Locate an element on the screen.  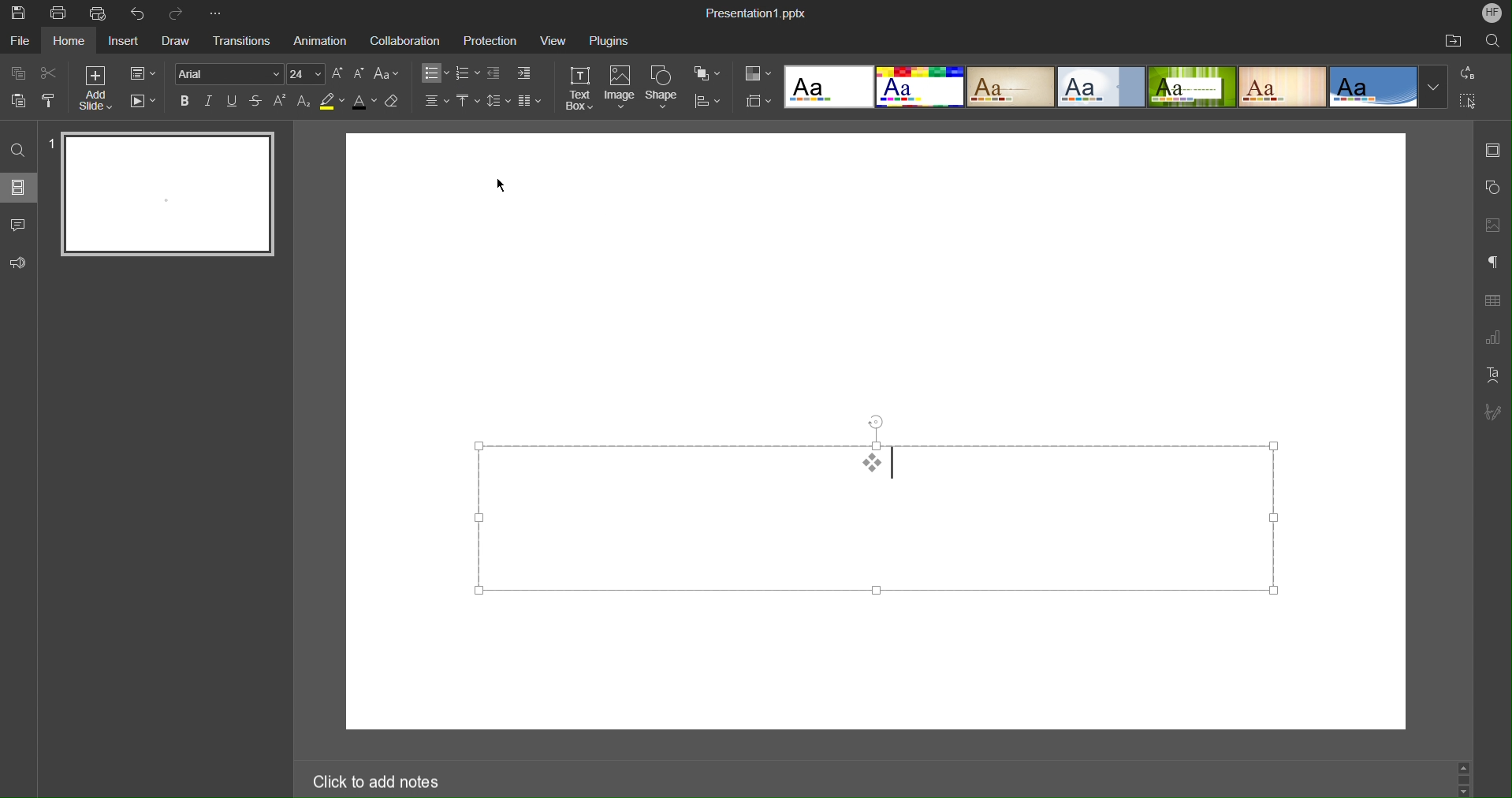
Custom Bullet List is located at coordinates (876, 465).